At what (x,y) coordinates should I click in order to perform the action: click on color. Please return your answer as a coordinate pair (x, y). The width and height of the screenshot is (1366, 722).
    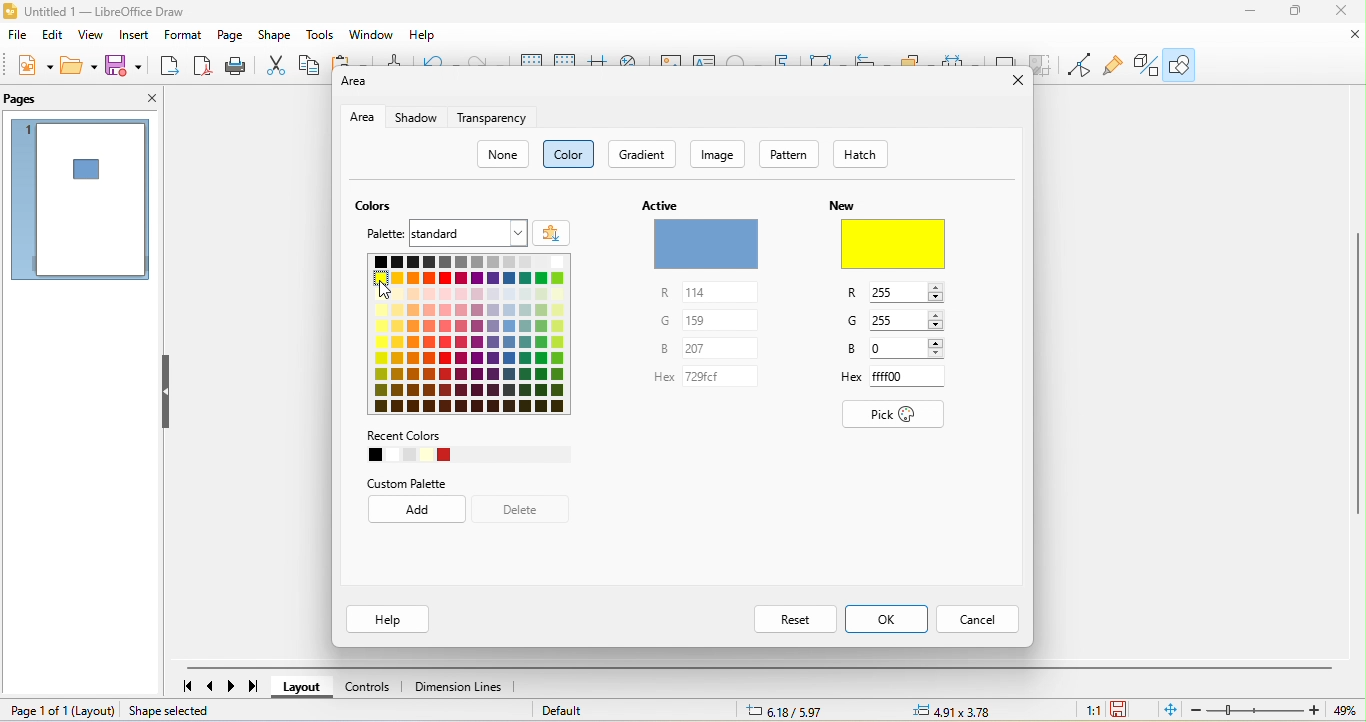
    Looking at the image, I should click on (573, 154).